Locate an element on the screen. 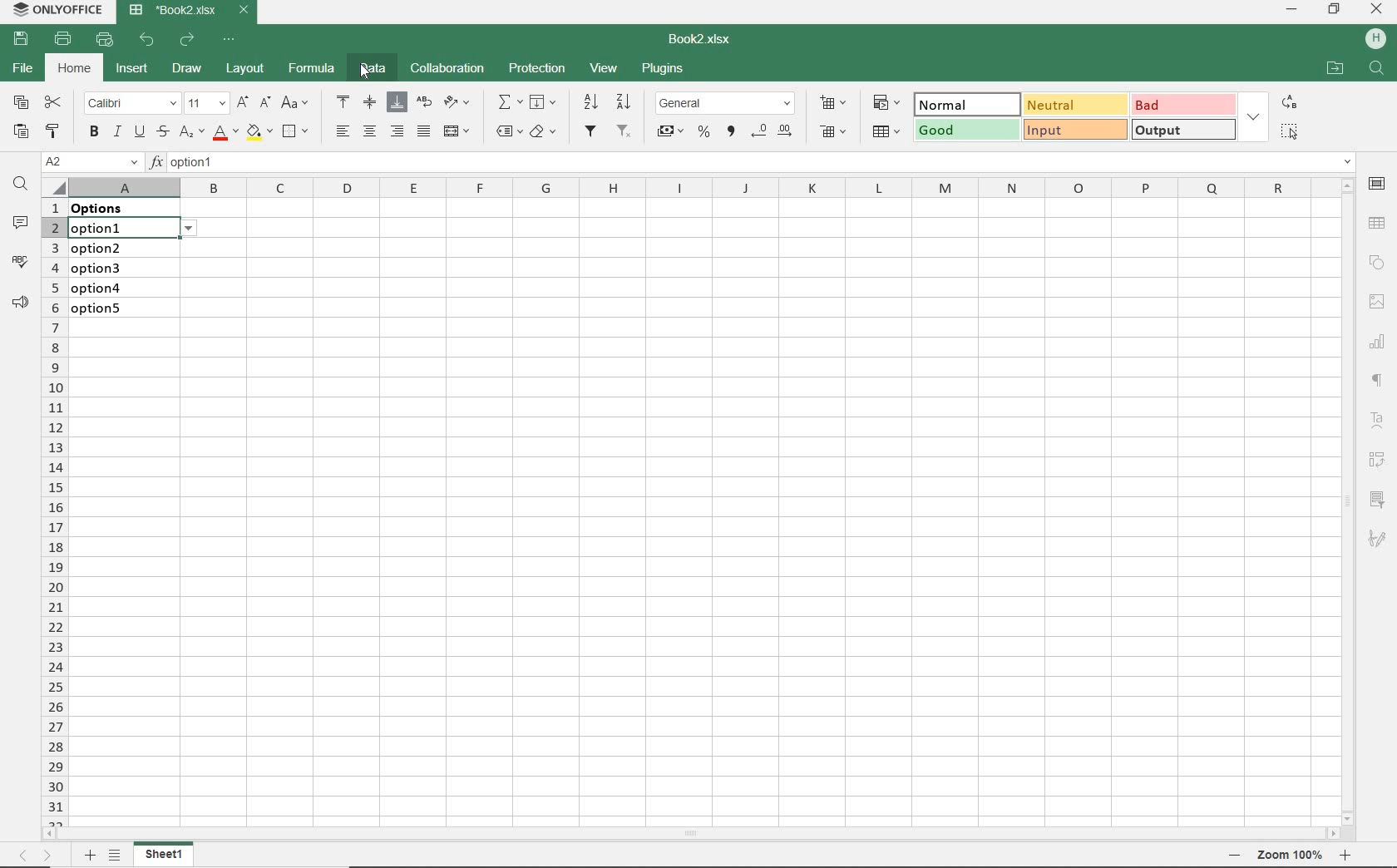 The width and height of the screenshot is (1397, 868). CHART is located at coordinates (1379, 344).